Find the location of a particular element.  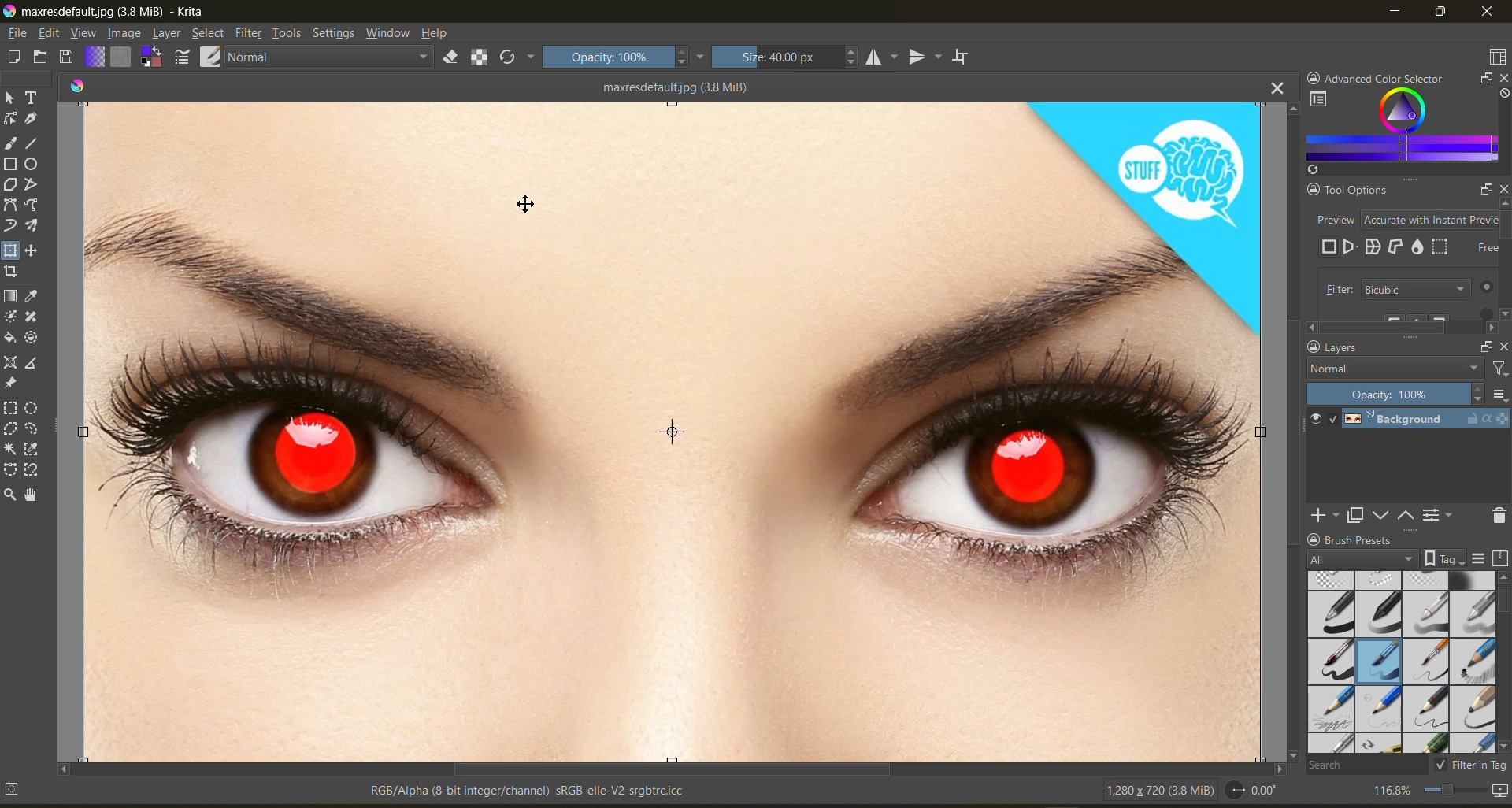

size  is located at coordinates (784, 57).